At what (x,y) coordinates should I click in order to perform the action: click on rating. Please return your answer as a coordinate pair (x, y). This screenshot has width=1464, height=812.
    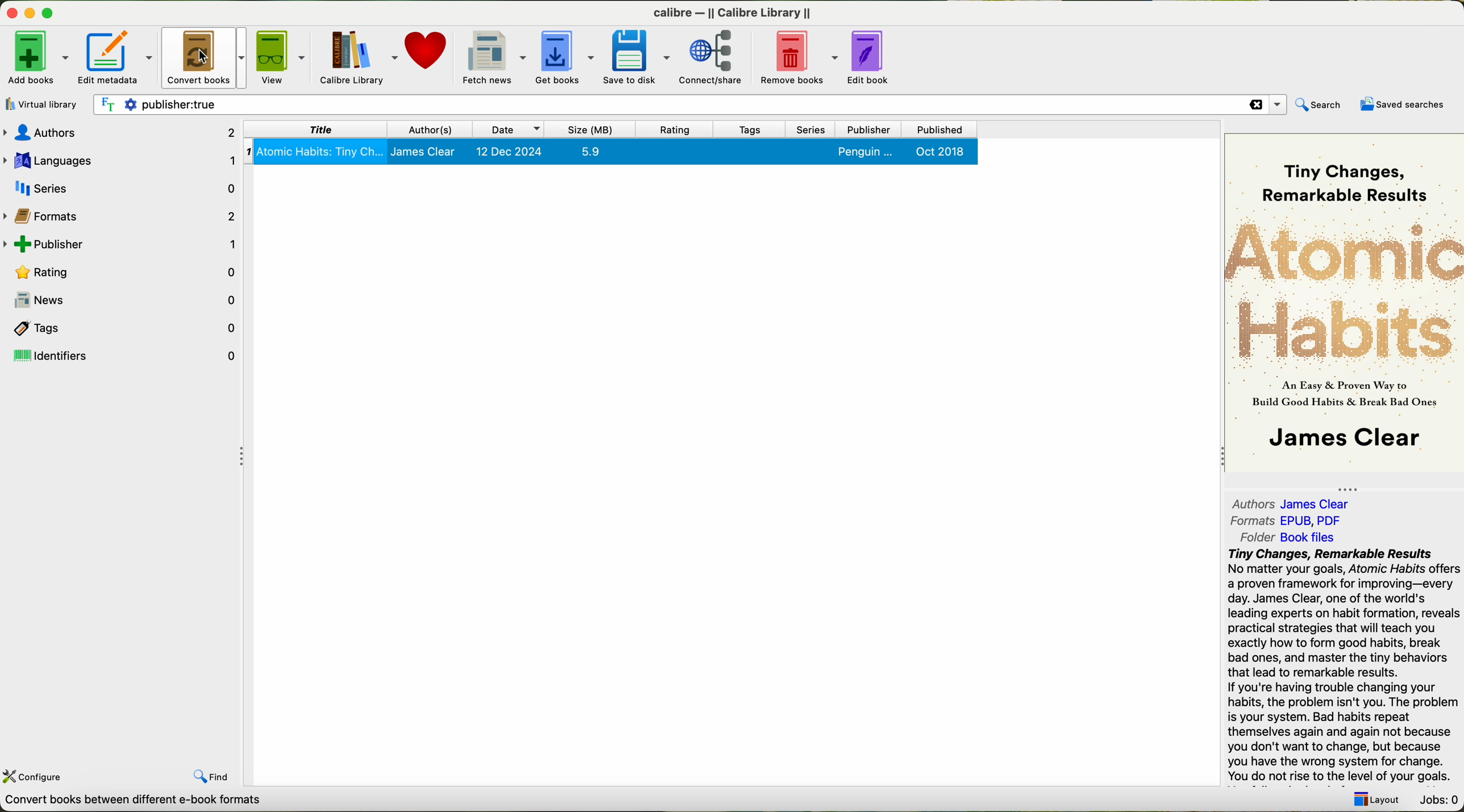
    Looking at the image, I should click on (125, 271).